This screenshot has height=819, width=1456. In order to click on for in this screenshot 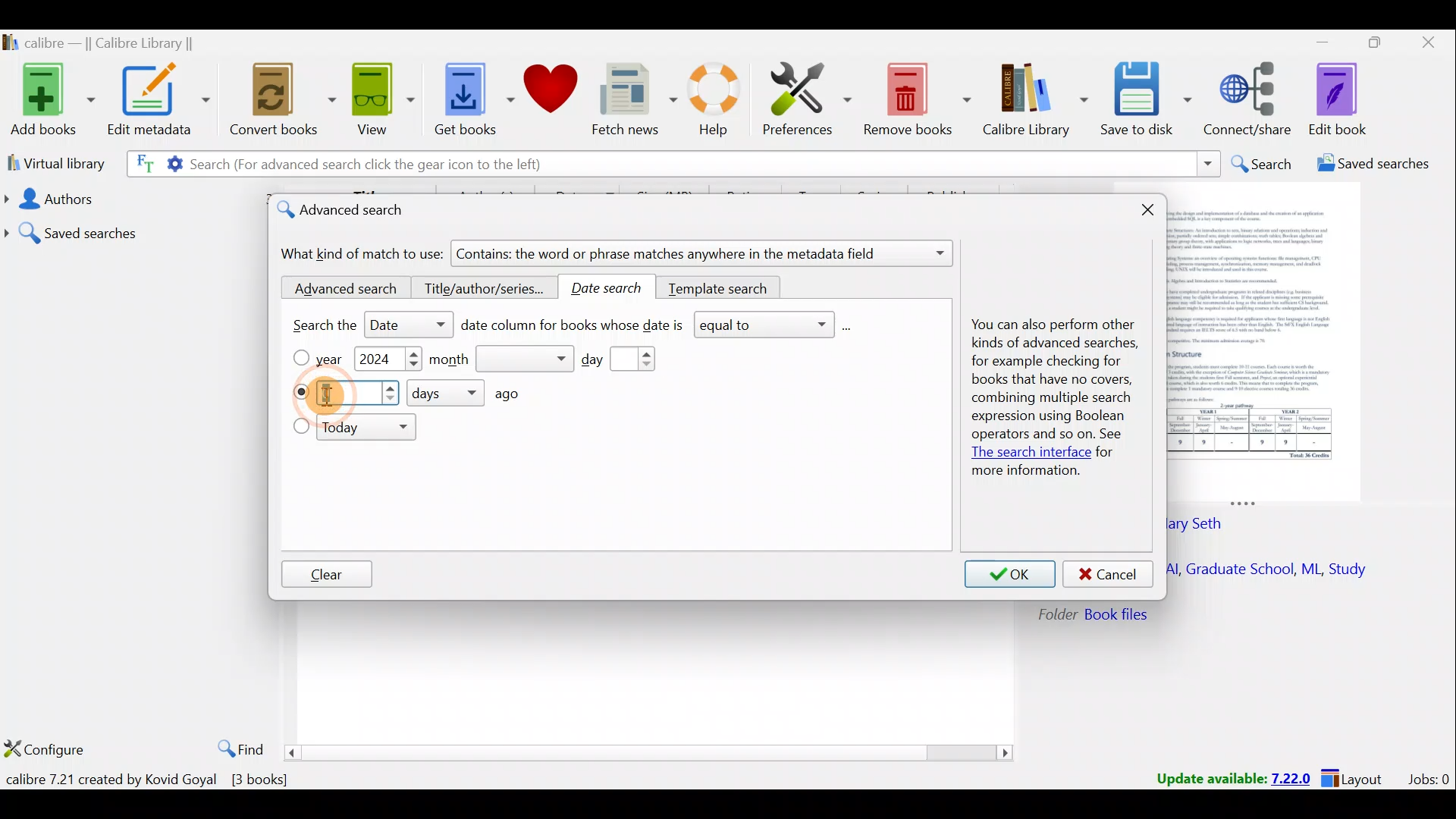, I will do `click(1106, 453)`.